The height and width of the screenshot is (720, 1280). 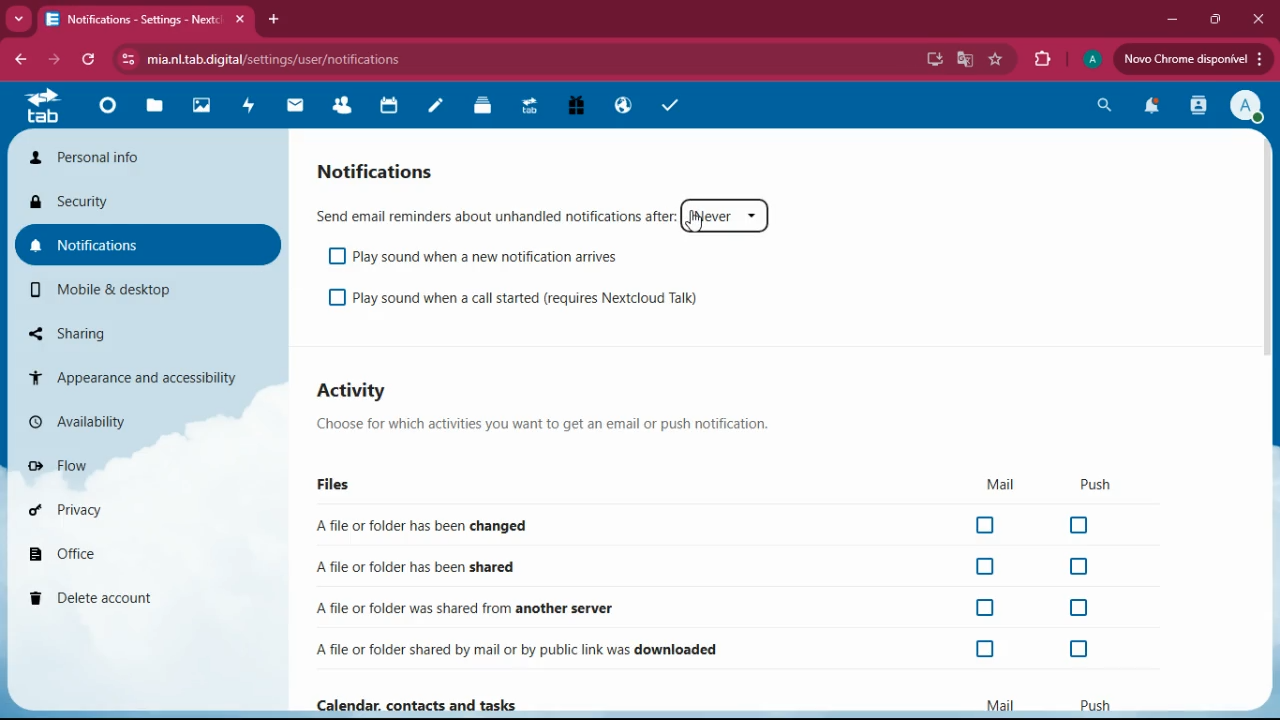 I want to click on mobile, so click(x=128, y=289).